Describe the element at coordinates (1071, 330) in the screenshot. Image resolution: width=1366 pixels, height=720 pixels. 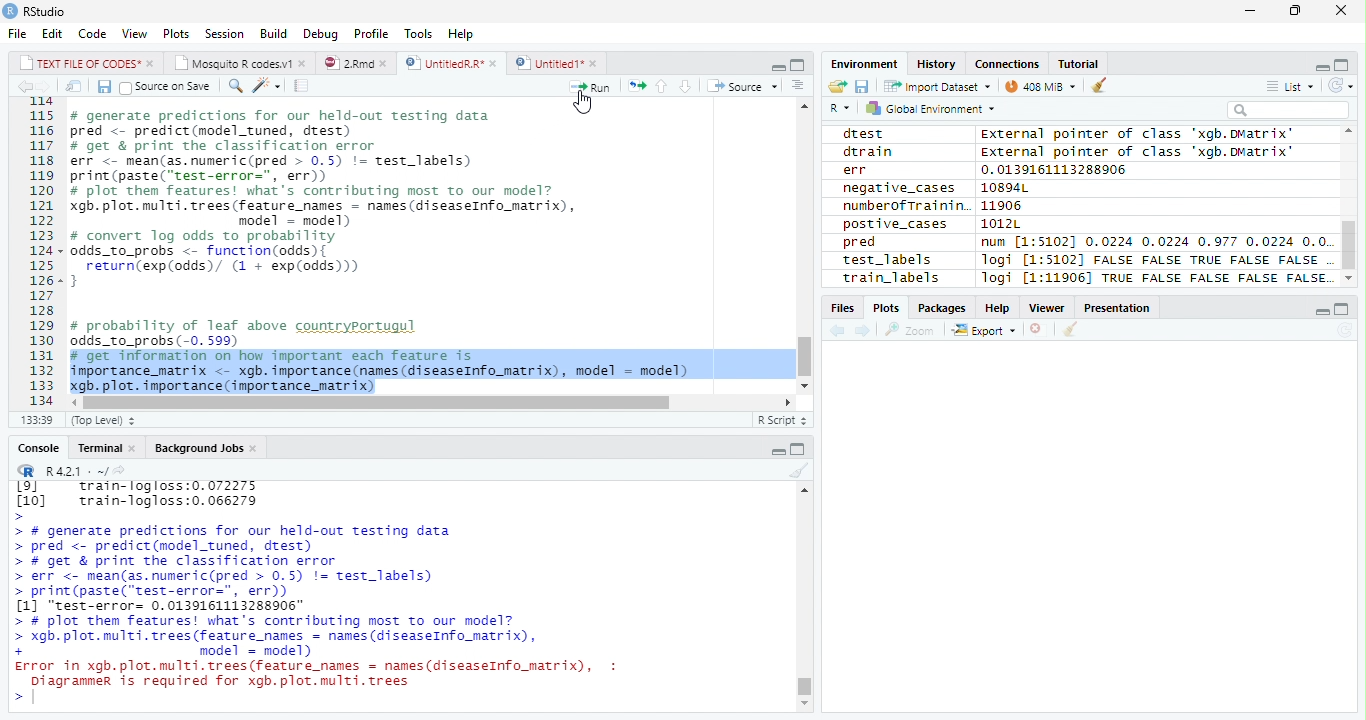
I see `Clean` at that location.